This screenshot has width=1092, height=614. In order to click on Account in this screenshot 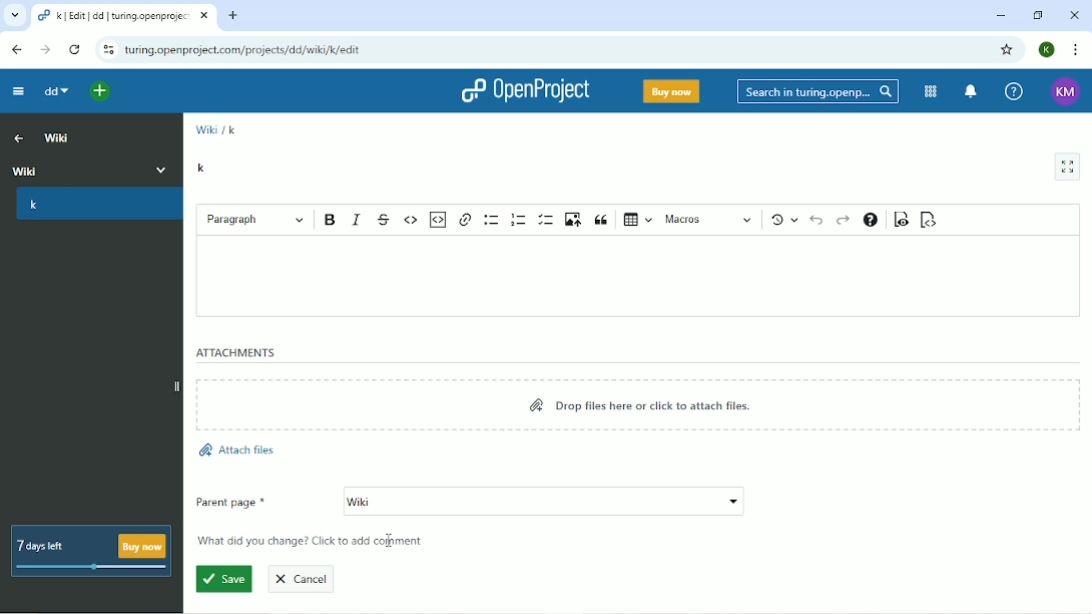, I will do `click(1063, 90)`.